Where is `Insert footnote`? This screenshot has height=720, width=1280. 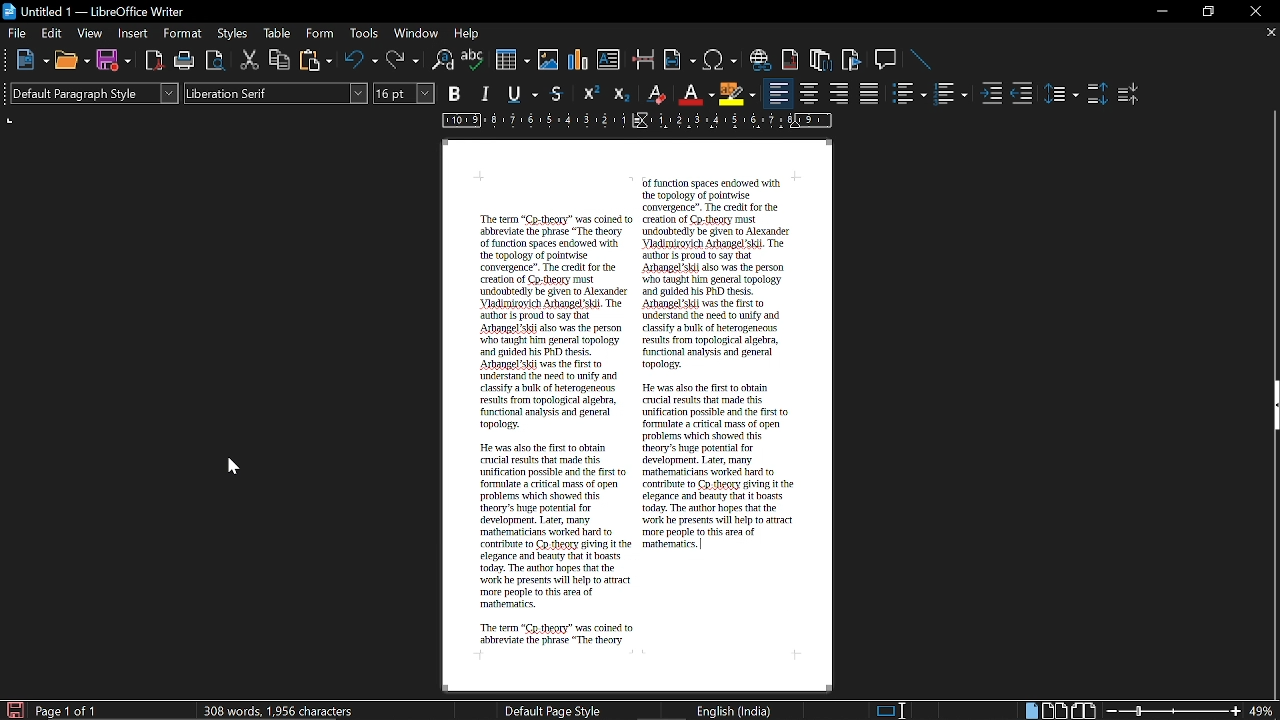 Insert footnote is located at coordinates (822, 61).